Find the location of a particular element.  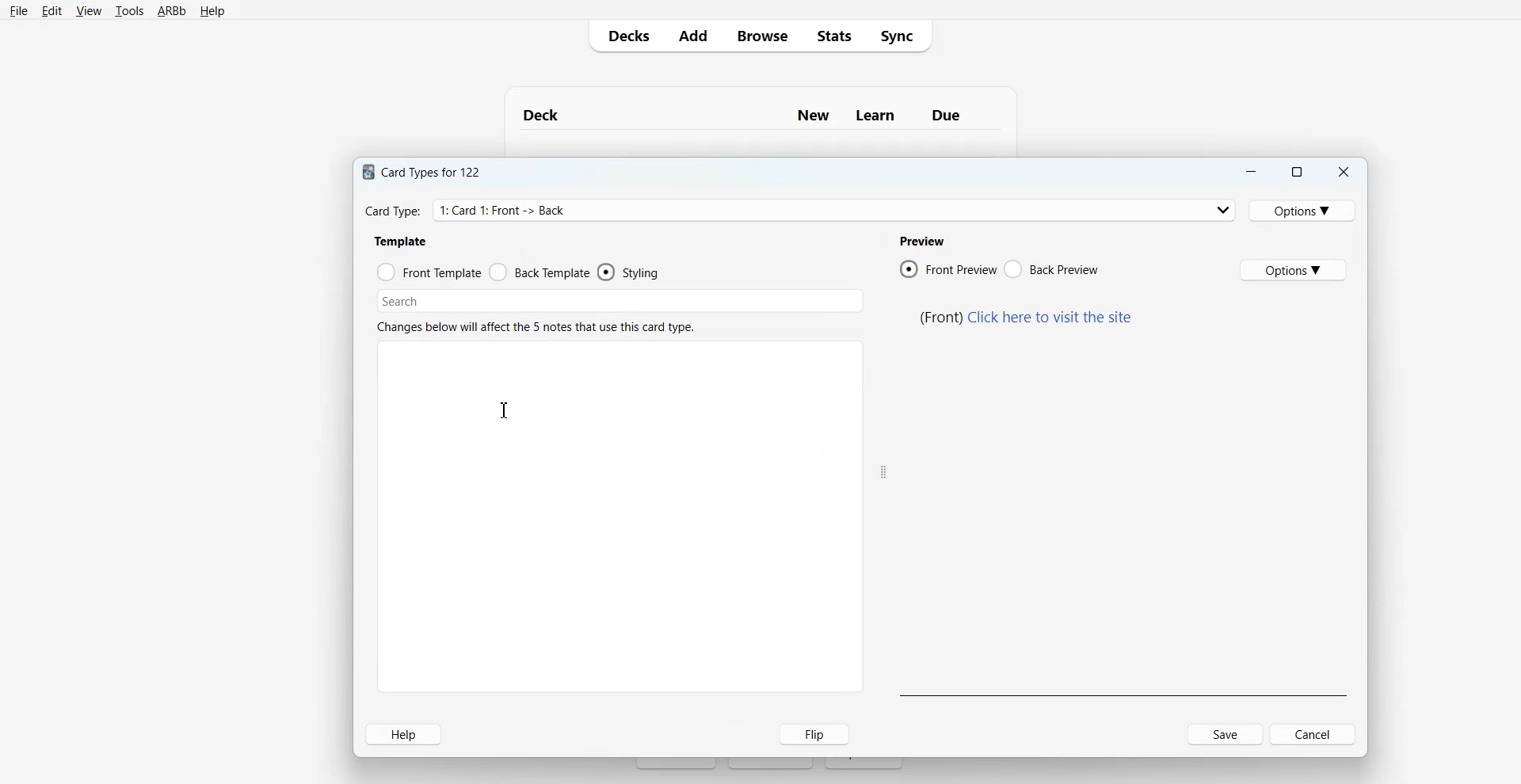

Tools is located at coordinates (129, 11).